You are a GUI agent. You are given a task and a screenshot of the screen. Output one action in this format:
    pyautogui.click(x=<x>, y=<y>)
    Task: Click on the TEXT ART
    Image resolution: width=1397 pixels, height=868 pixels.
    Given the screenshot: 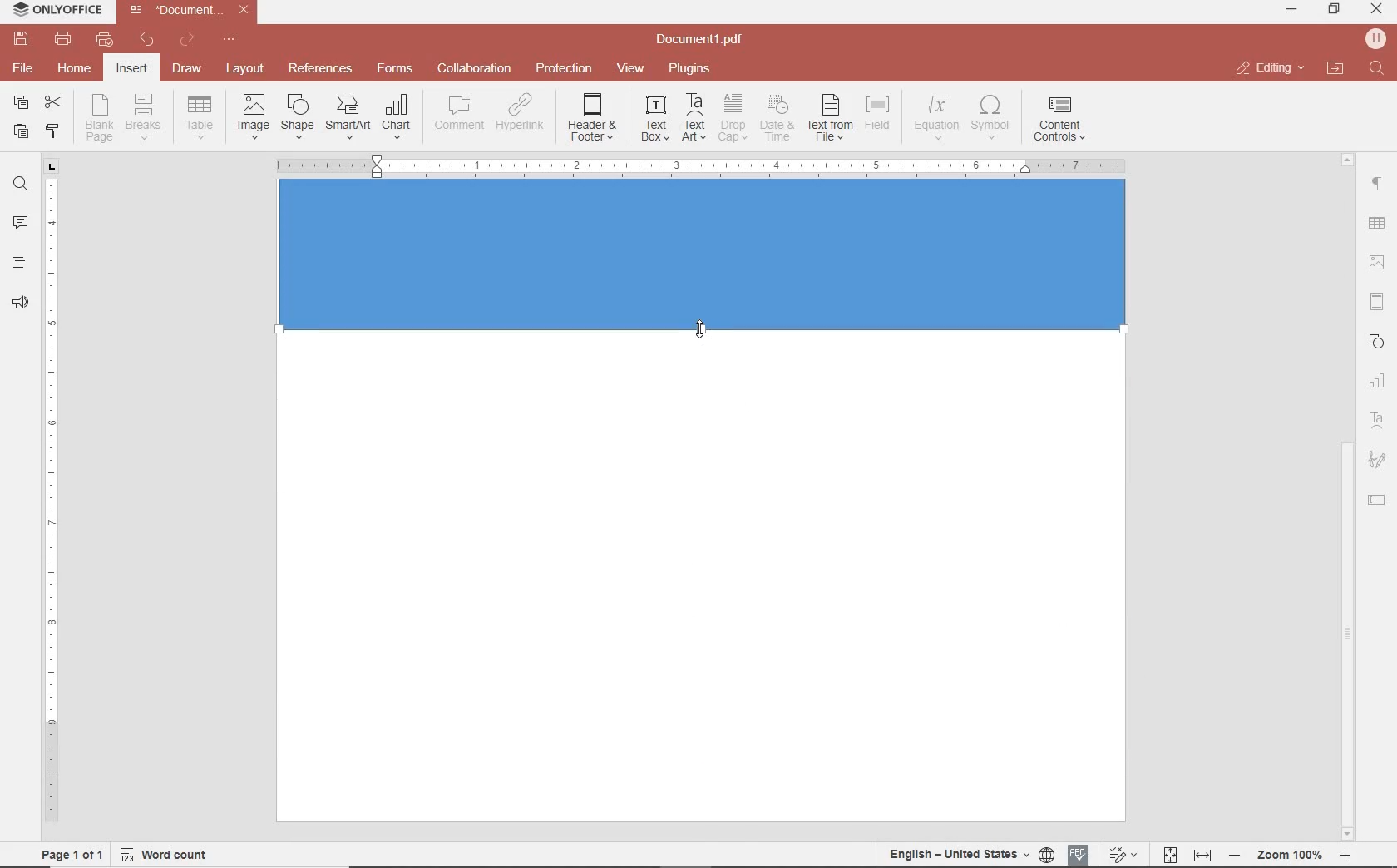 What is the action you would take?
    pyautogui.click(x=1378, y=422)
    